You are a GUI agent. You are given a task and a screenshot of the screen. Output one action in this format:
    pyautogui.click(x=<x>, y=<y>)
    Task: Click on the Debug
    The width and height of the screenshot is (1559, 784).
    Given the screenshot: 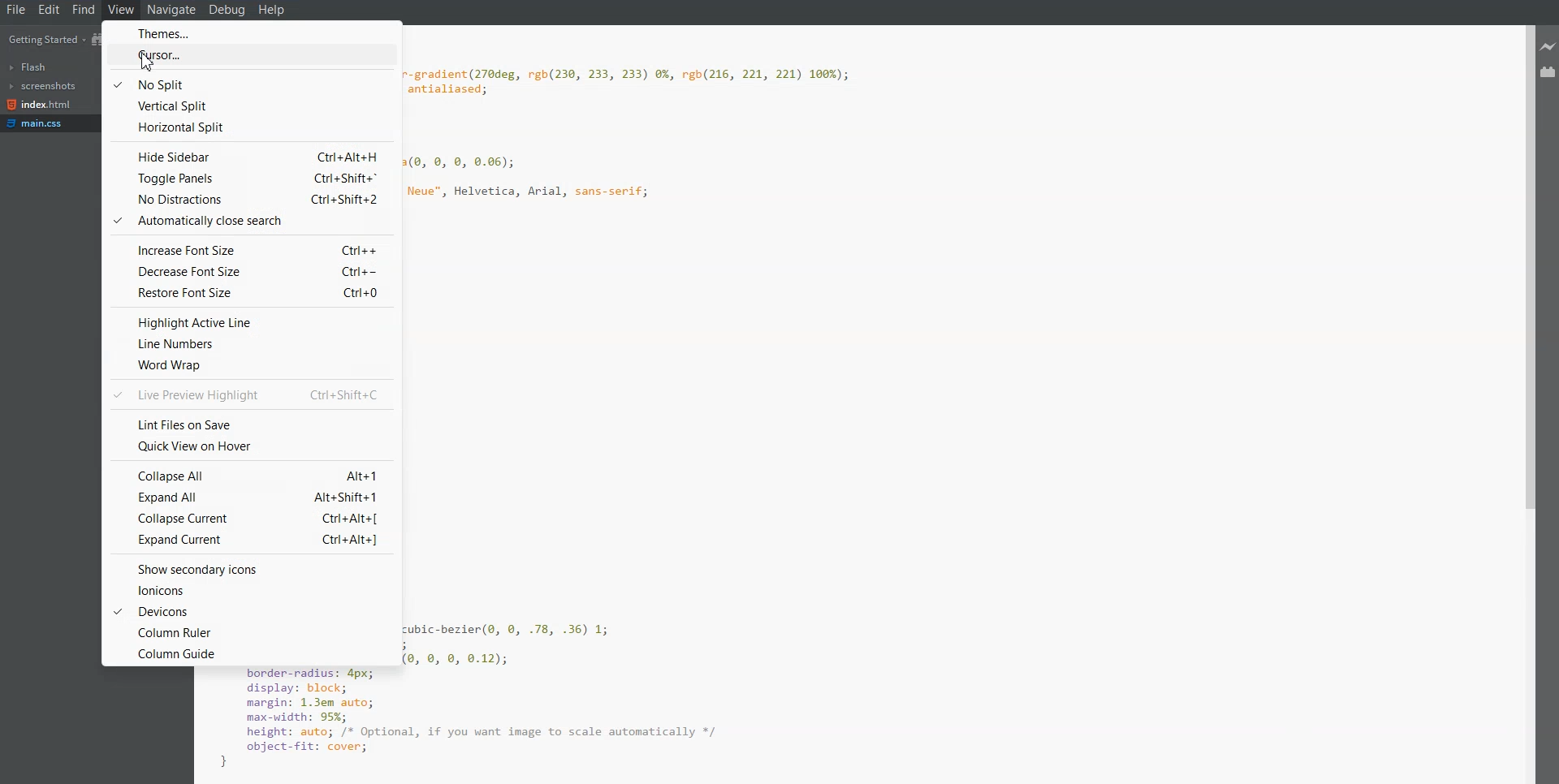 What is the action you would take?
    pyautogui.click(x=228, y=10)
    